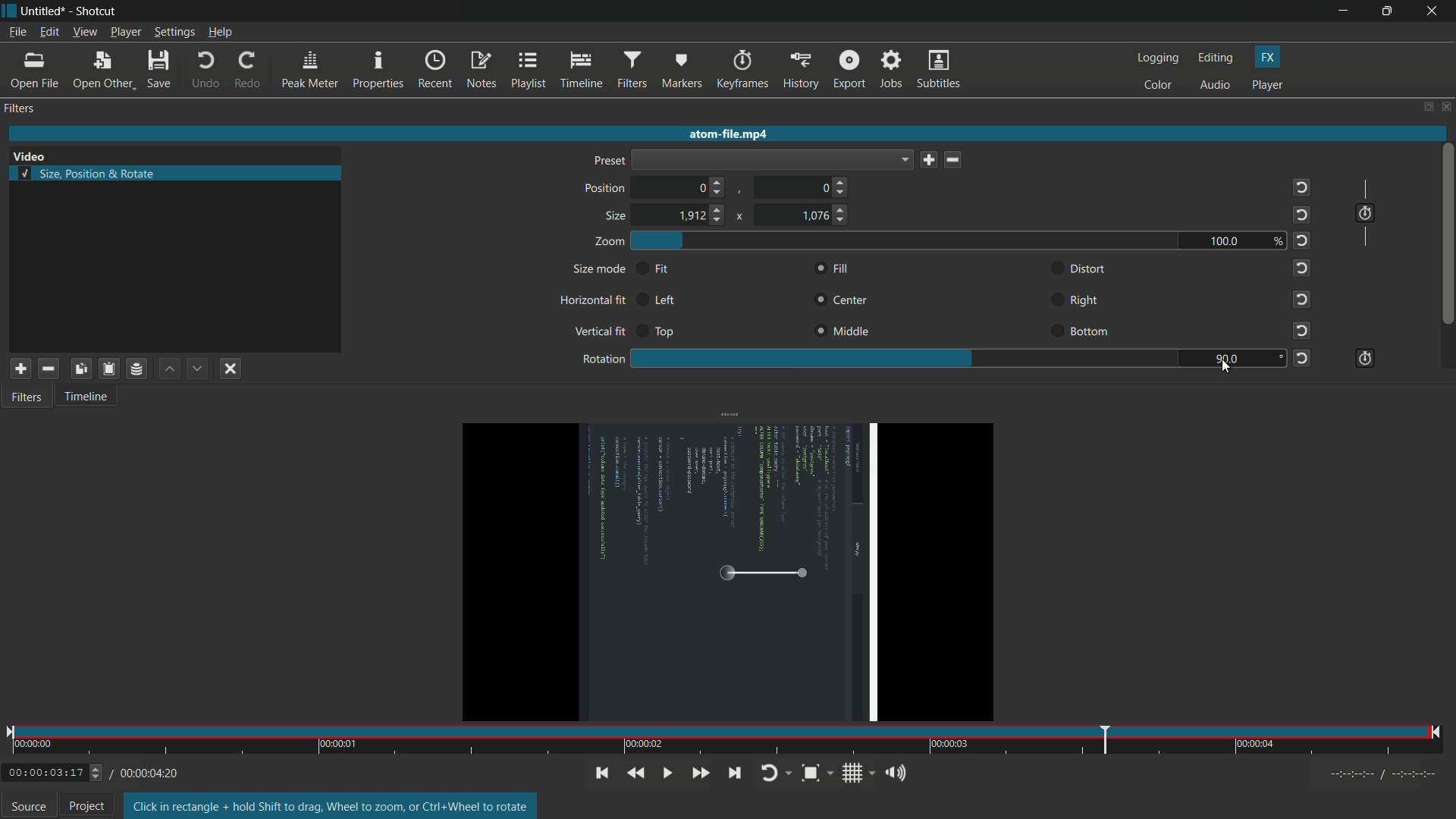  Describe the element at coordinates (1280, 241) in the screenshot. I see `%` at that location.